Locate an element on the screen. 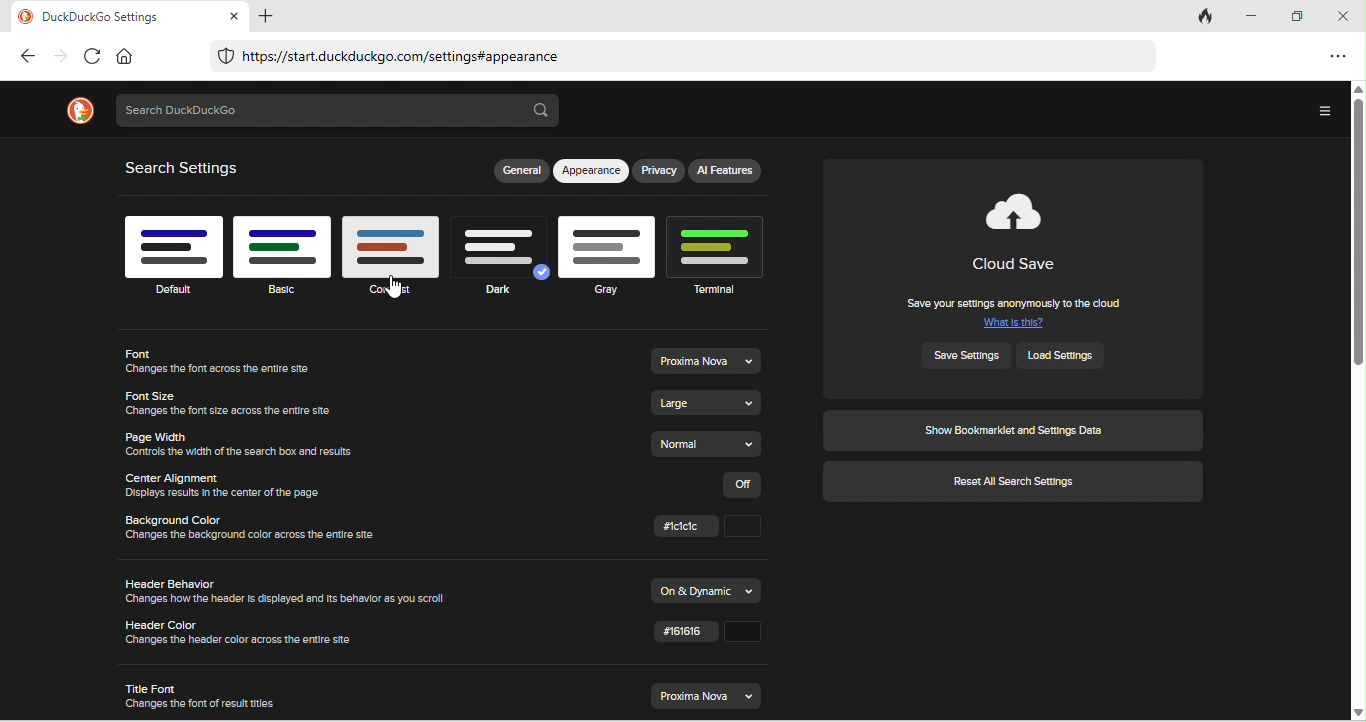 Image resolution: width=1366 pixels, height=722 pixels. background color is located at coordinates (263, 532).